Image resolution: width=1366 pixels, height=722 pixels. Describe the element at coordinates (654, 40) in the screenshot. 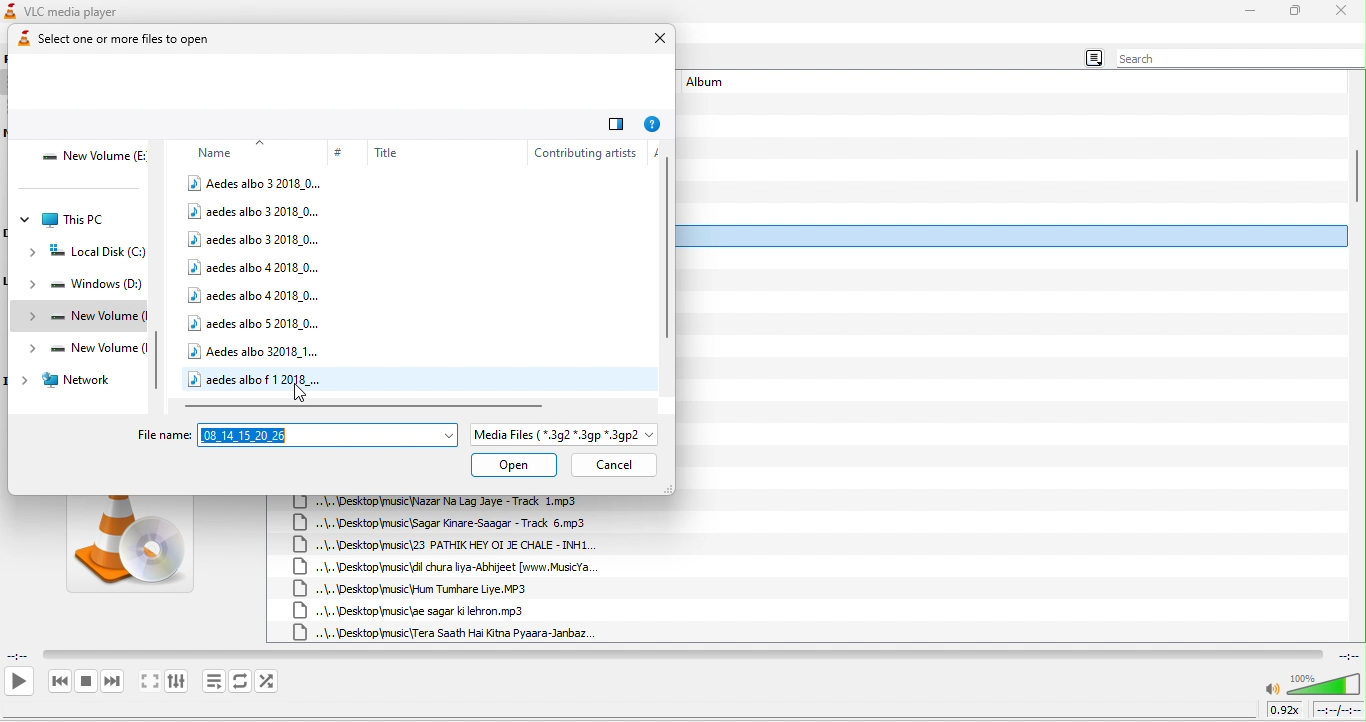

I see `close` at that location.